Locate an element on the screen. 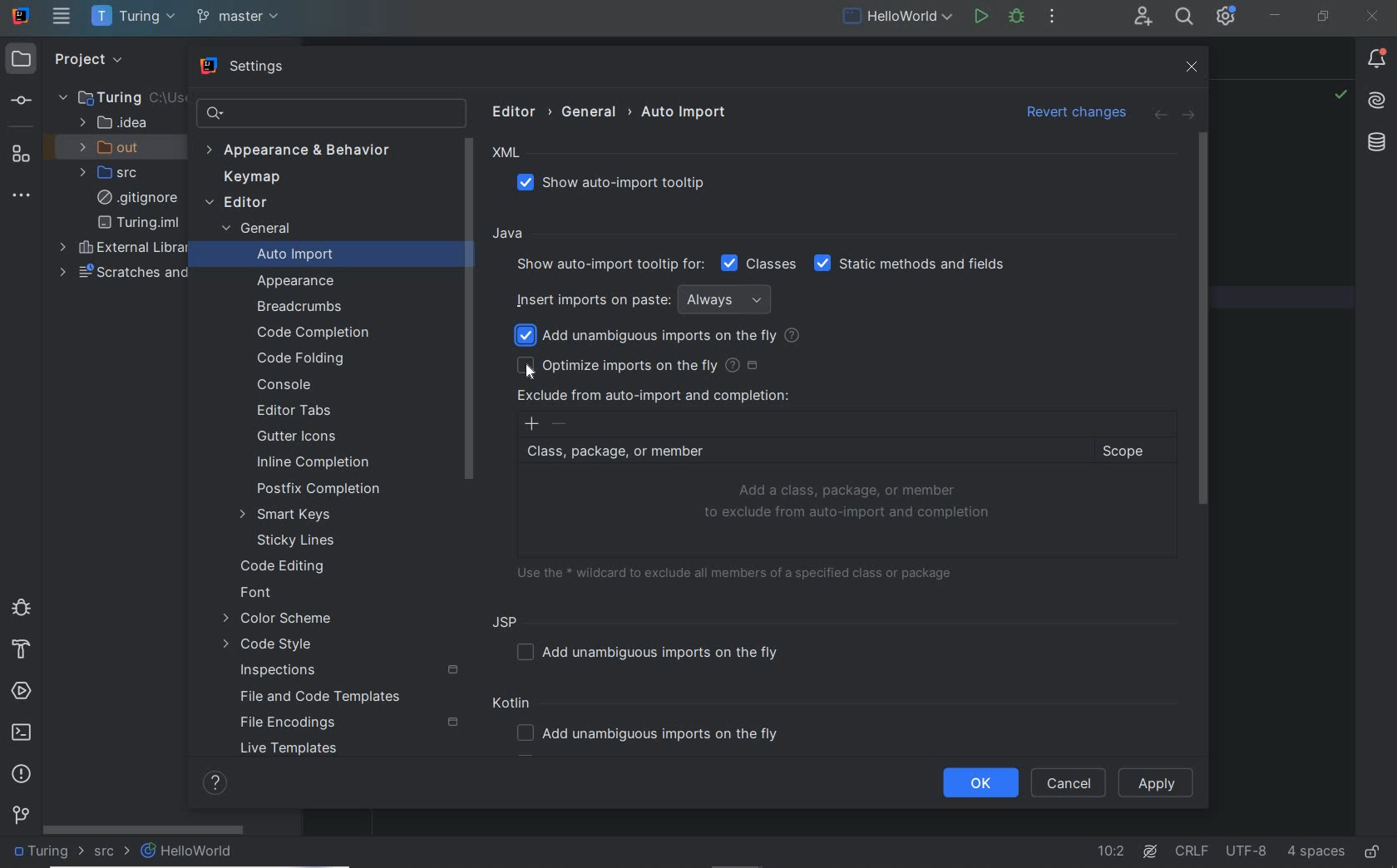 This screenshot has width=1397, height=868. Turing(project name) is located at coordinates (132, 17).